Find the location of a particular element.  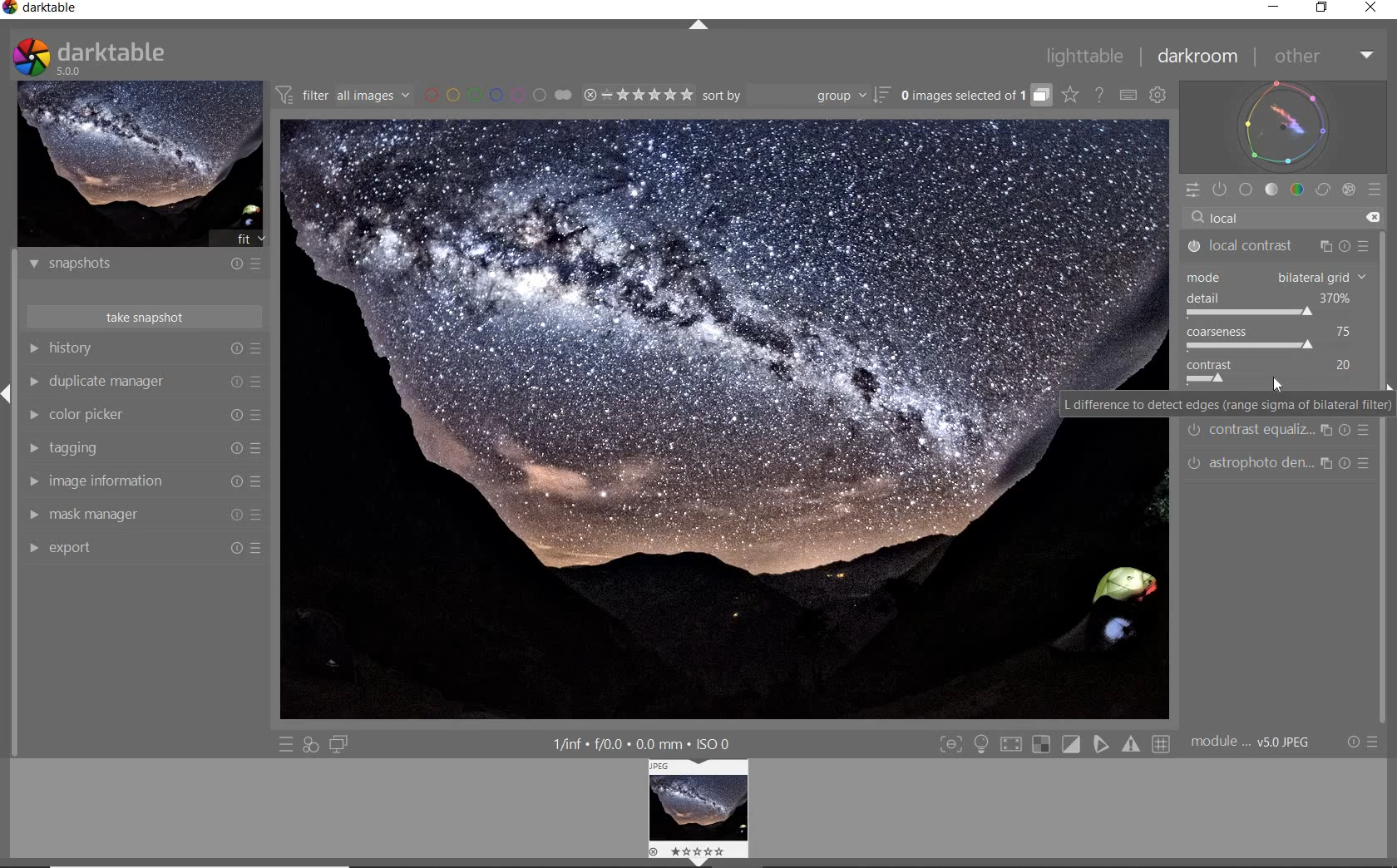

QUICK ACCESS FOR APPLYING ANY OF YOUR STYLES is located at coordinates (309, 744).